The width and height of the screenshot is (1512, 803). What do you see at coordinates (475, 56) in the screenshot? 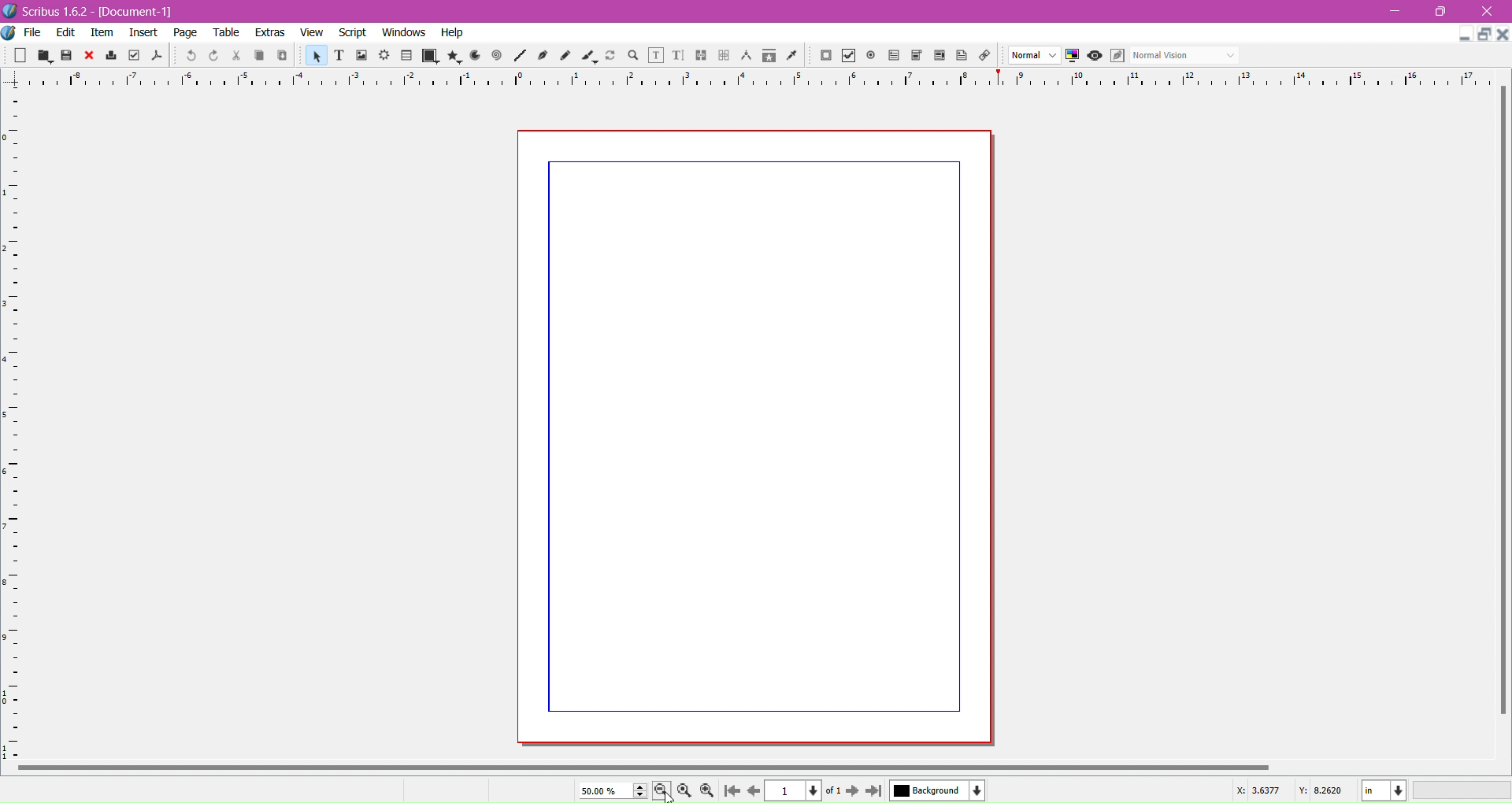
I see `Arc` at bounding box center [475, 56].